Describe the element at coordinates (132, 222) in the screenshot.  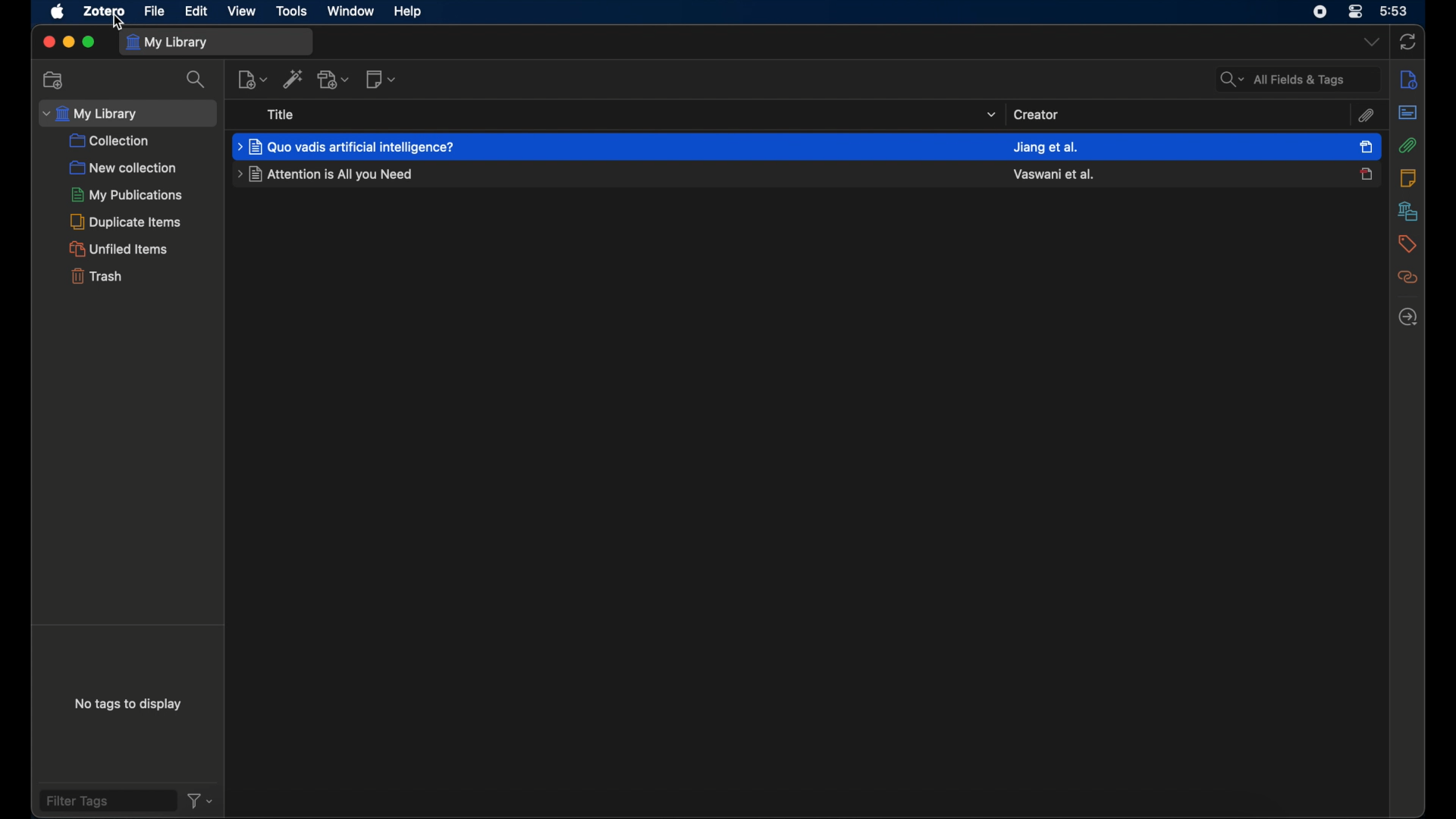
I see `duplicate items` at that location.